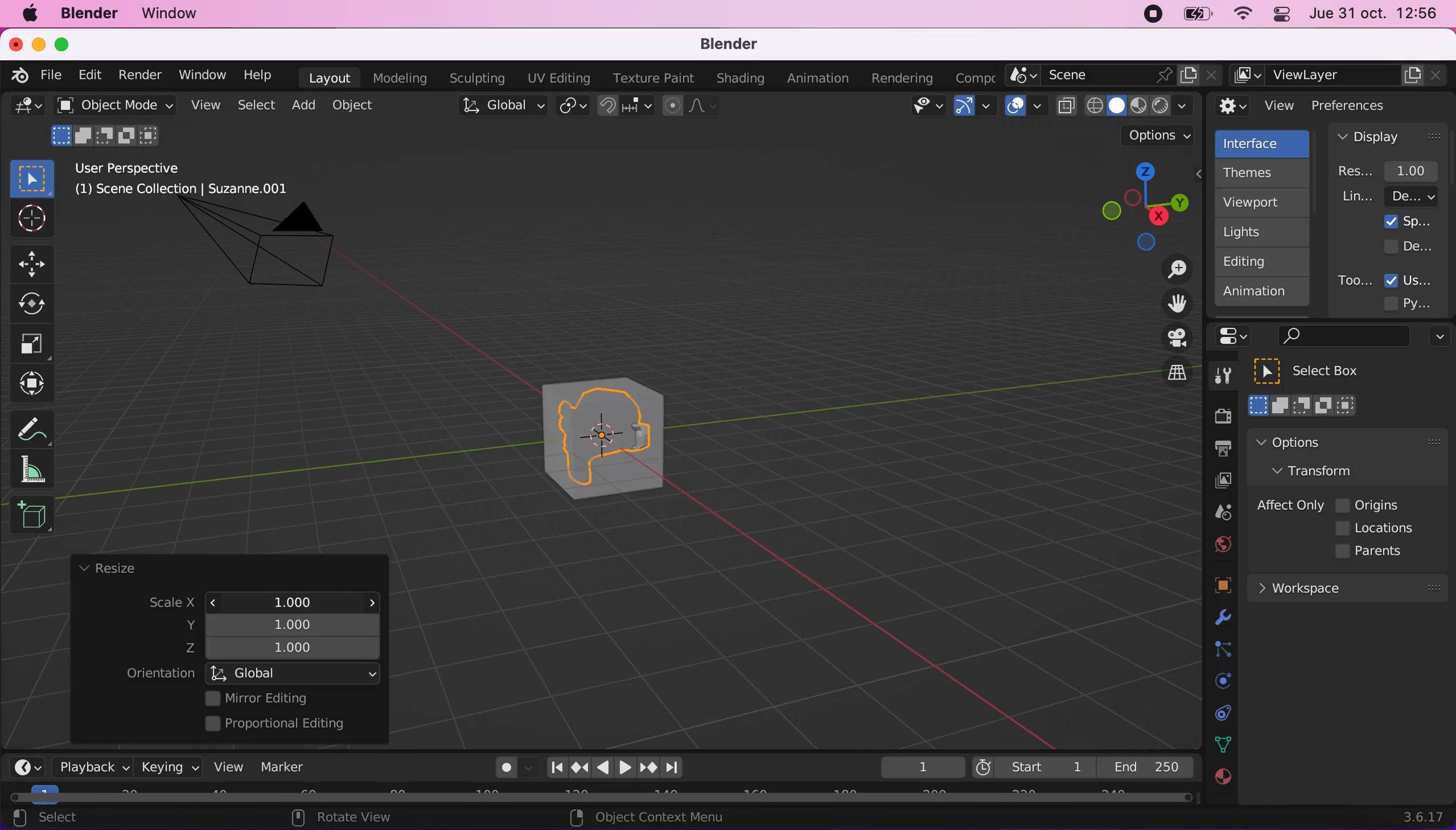  Describe the element at coordinates (1394, 170) in the screenshot. I see `resolution scale` at that location.